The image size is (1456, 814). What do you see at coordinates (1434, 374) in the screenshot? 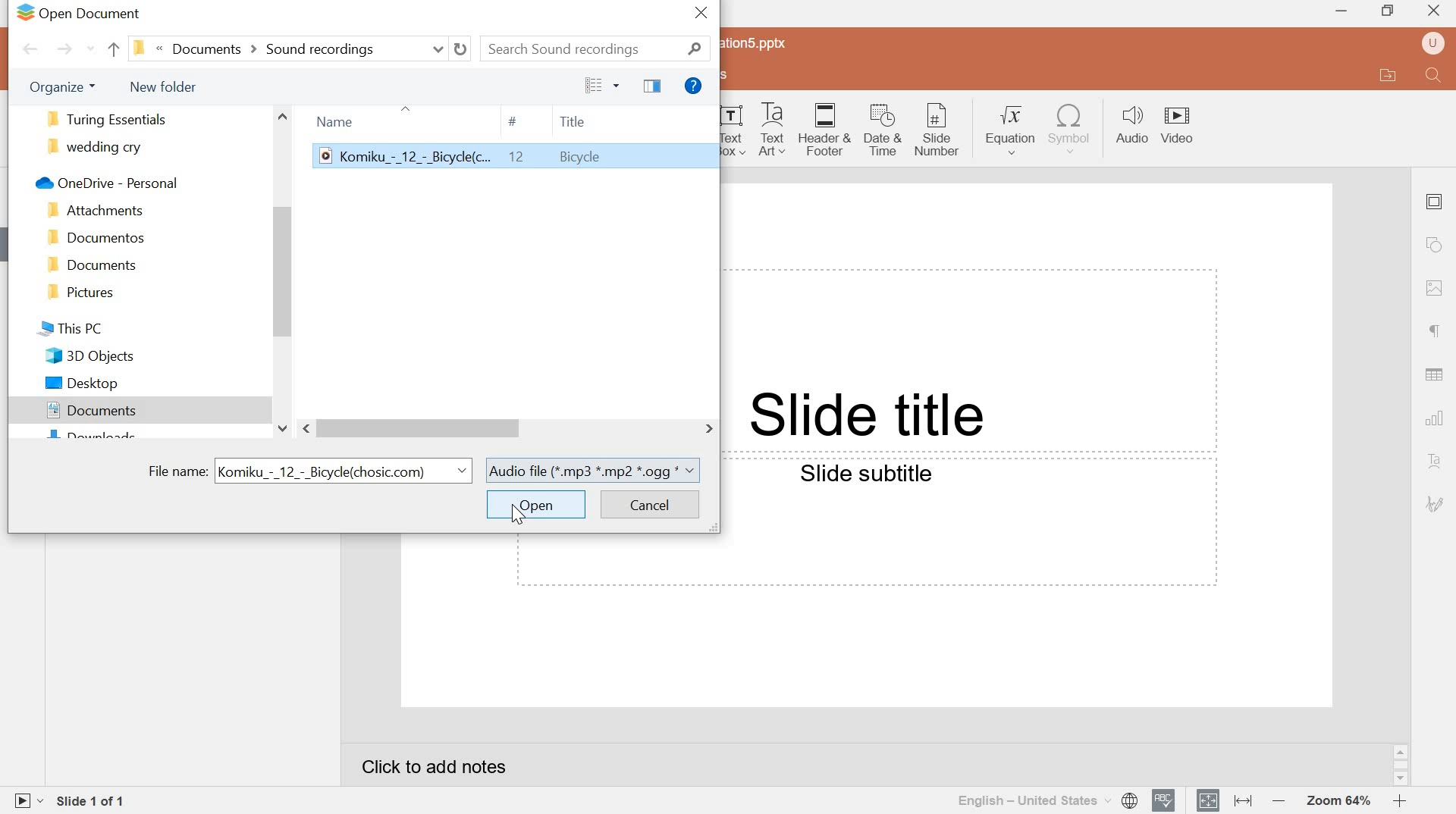
I see `Table settings` at bounding box center [1434, 374].